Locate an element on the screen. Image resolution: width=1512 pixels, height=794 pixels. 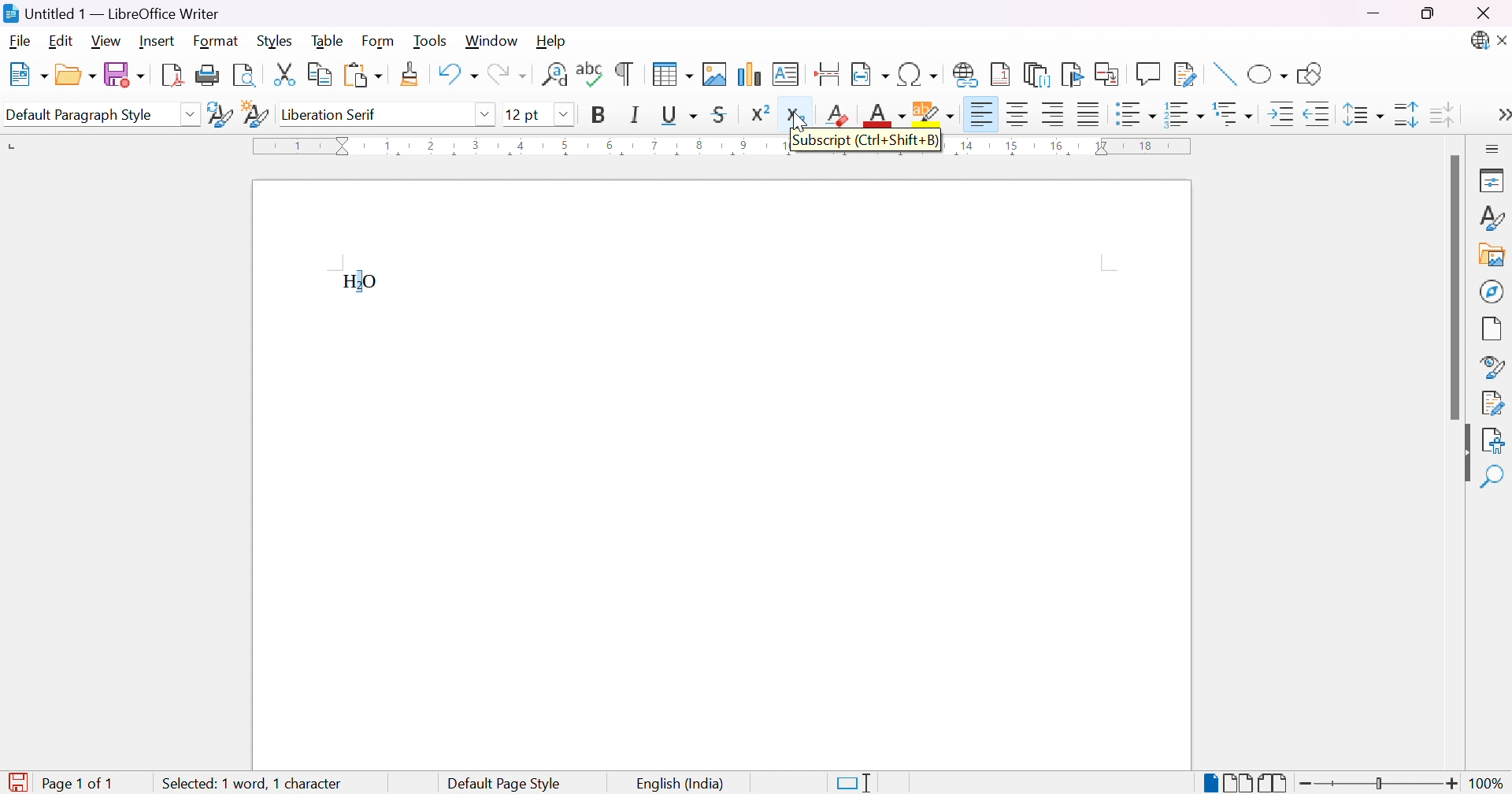
Insert field is located at coordinates (869, 75).